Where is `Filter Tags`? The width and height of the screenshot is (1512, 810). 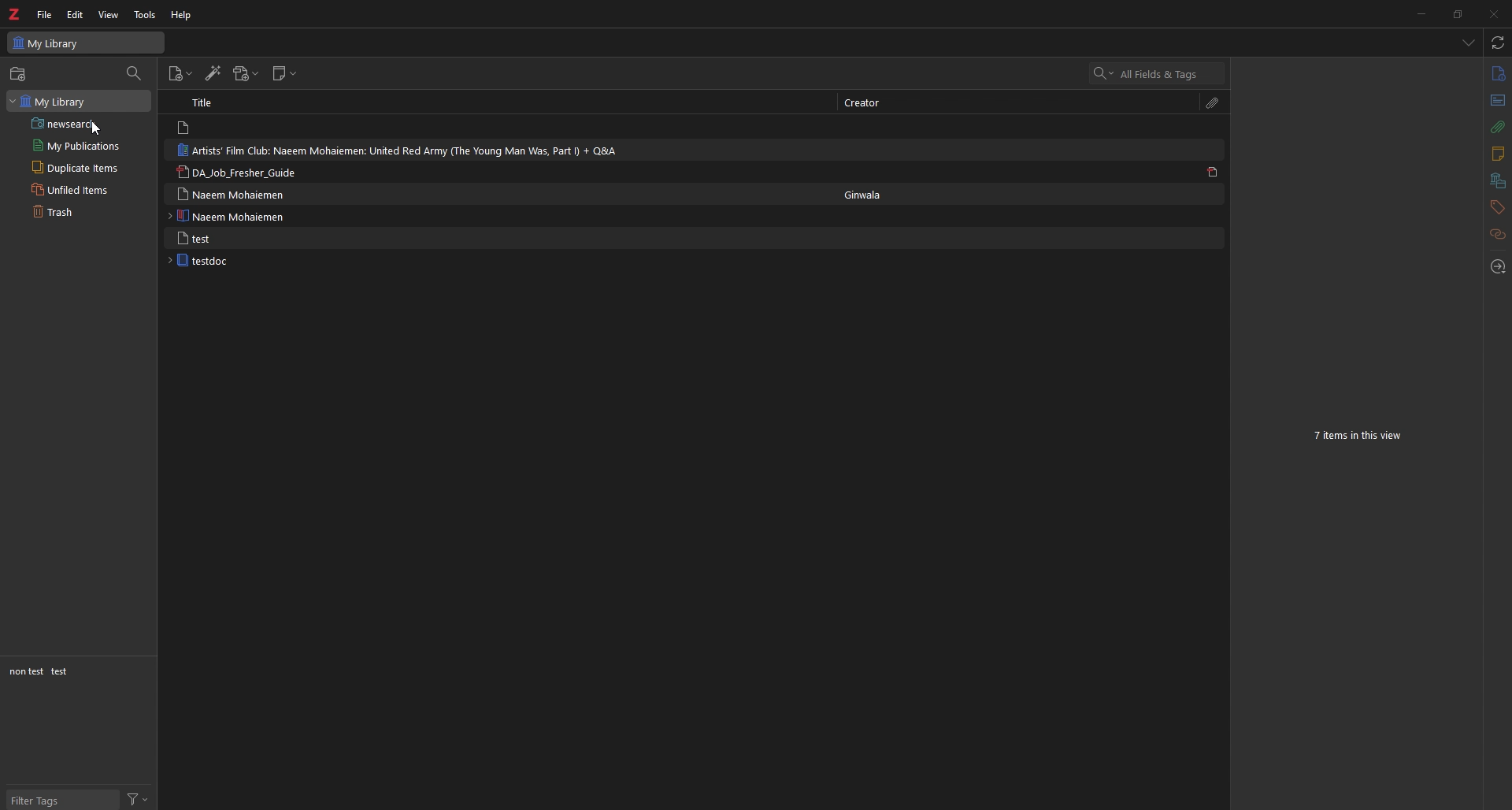 Filter Tags is located at coordinates (56, 800).